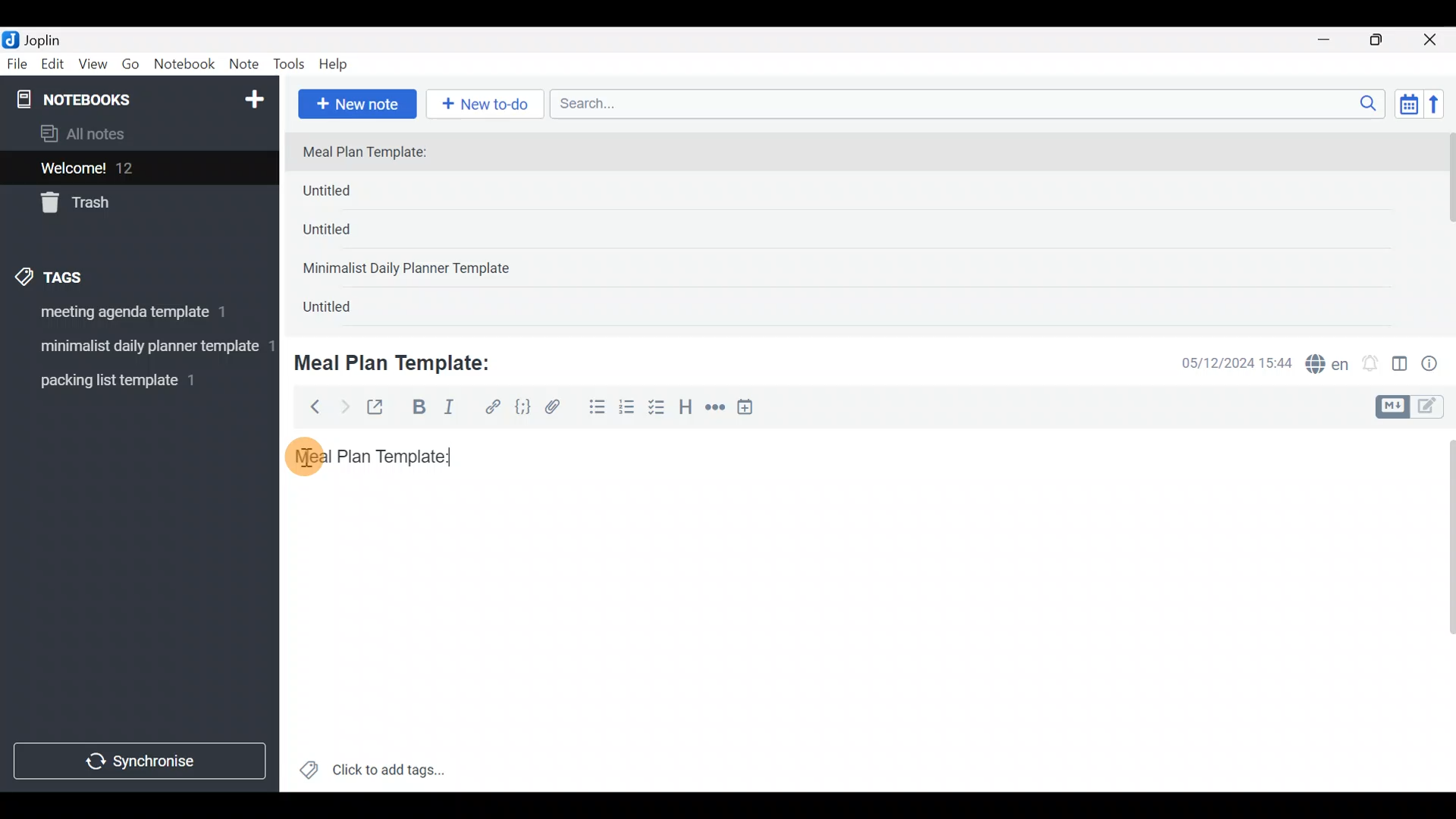 Image resolution: width=1456 pixels, height=819 pixels. What do you see at coordinates (53, 67) in the screenshot?
I see `Edit` at bounding box center [53, 67].